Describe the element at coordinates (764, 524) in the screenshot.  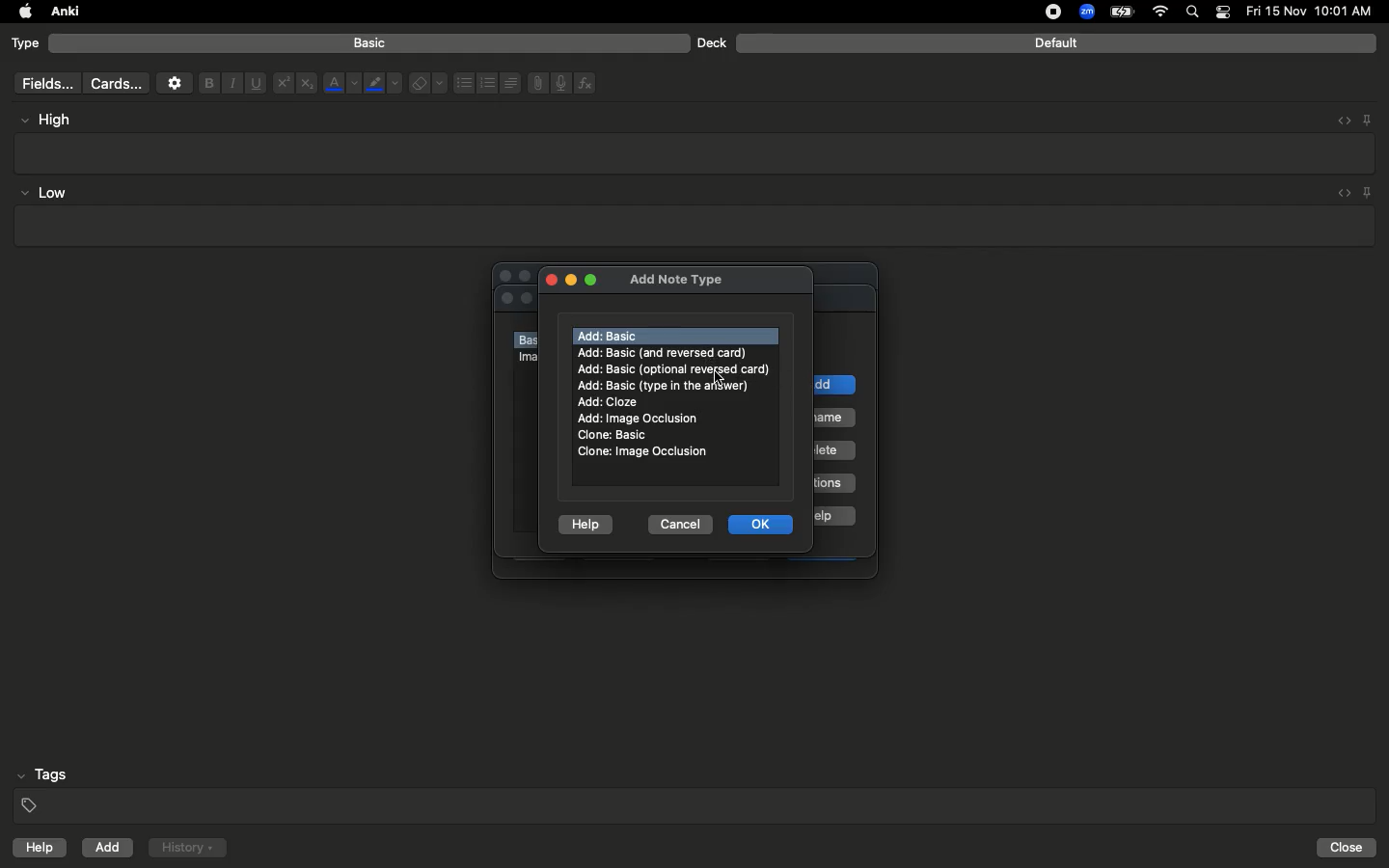
I see `Ok` at that location.